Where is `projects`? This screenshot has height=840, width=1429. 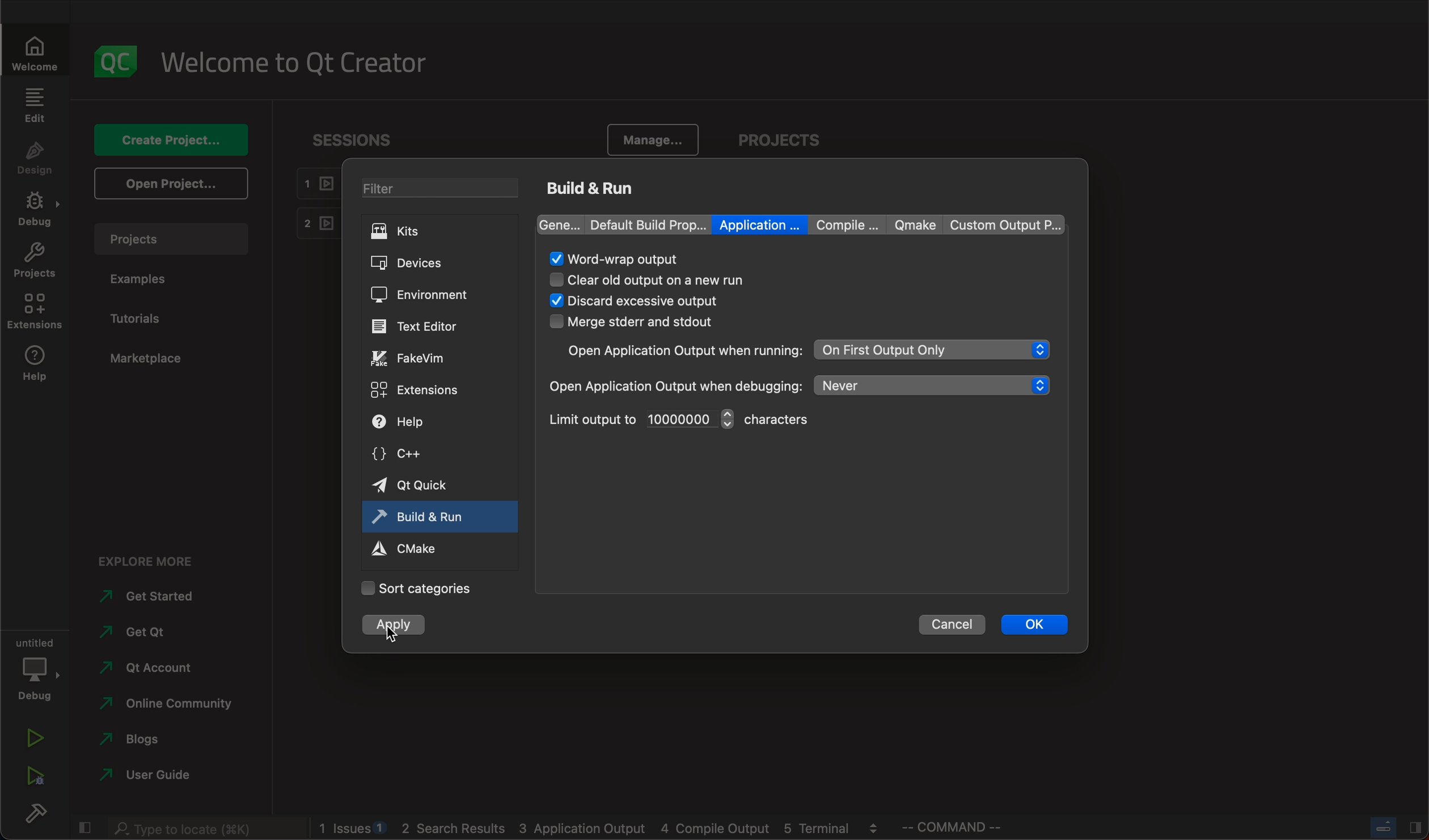
projects is located at coordinates (779, 130).